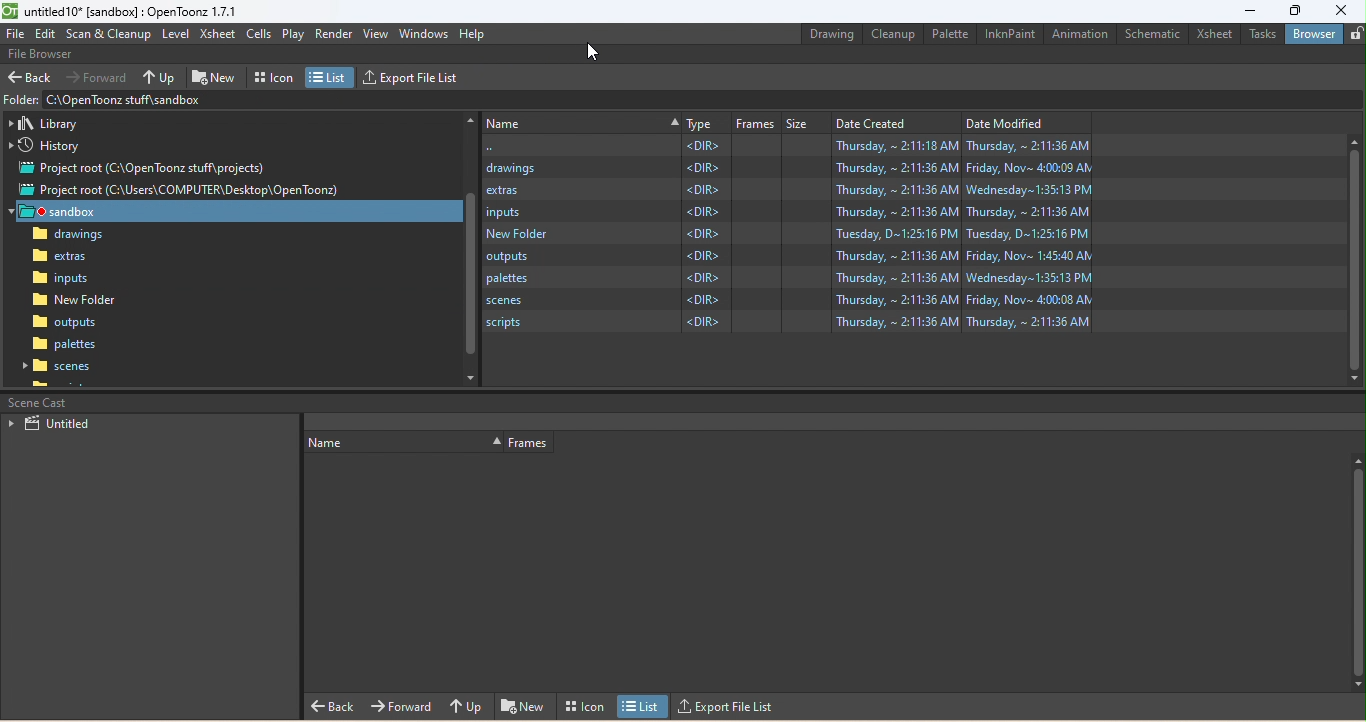 Image resolution: width=1366 pixels, height=722 pixels. What do you see at coordinates (890, 35) in the screenshot?
I see `Cleanup` at bounding box center [890, 35].